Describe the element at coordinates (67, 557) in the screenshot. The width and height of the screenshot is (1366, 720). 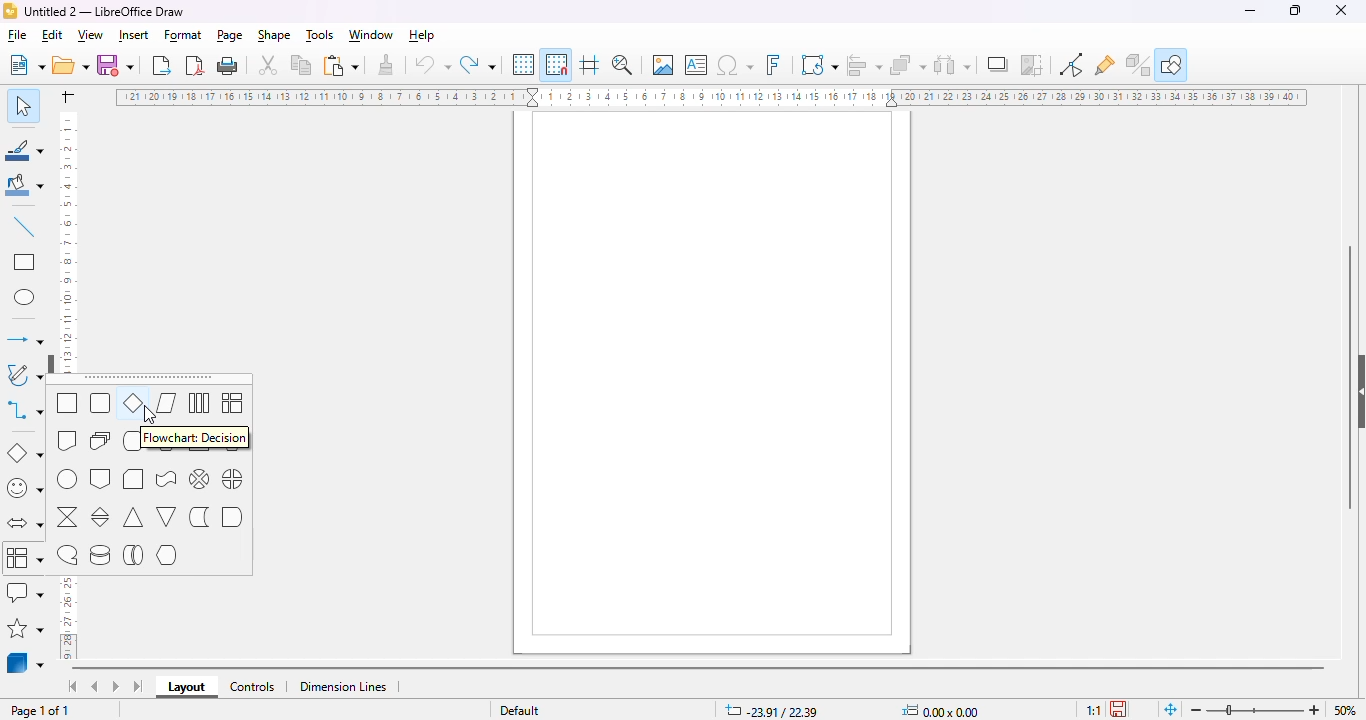
I see `flowchart: sequential access` at that location.